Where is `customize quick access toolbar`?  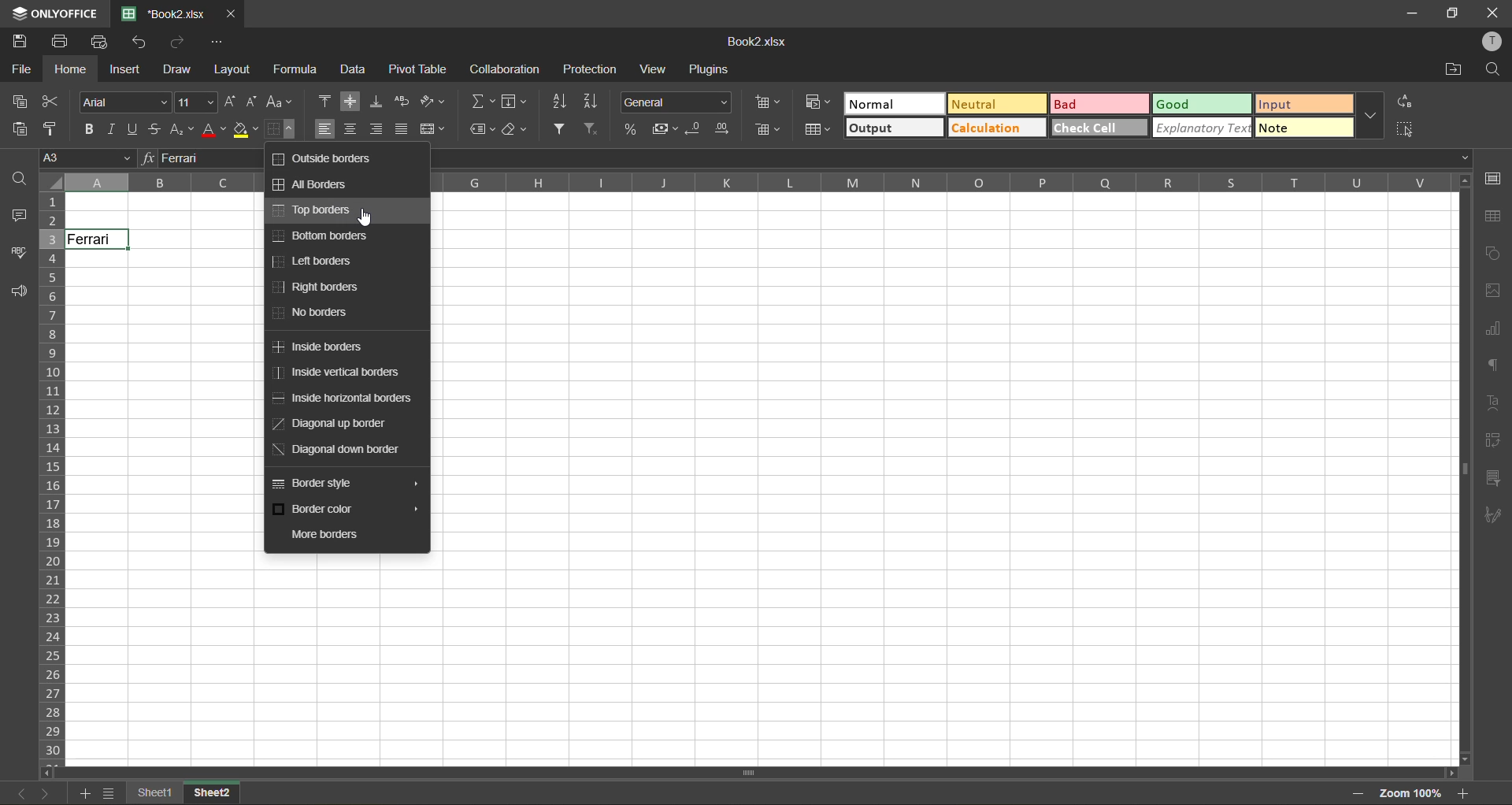
customize quick access toolbar is located at coordinates (218, 42).